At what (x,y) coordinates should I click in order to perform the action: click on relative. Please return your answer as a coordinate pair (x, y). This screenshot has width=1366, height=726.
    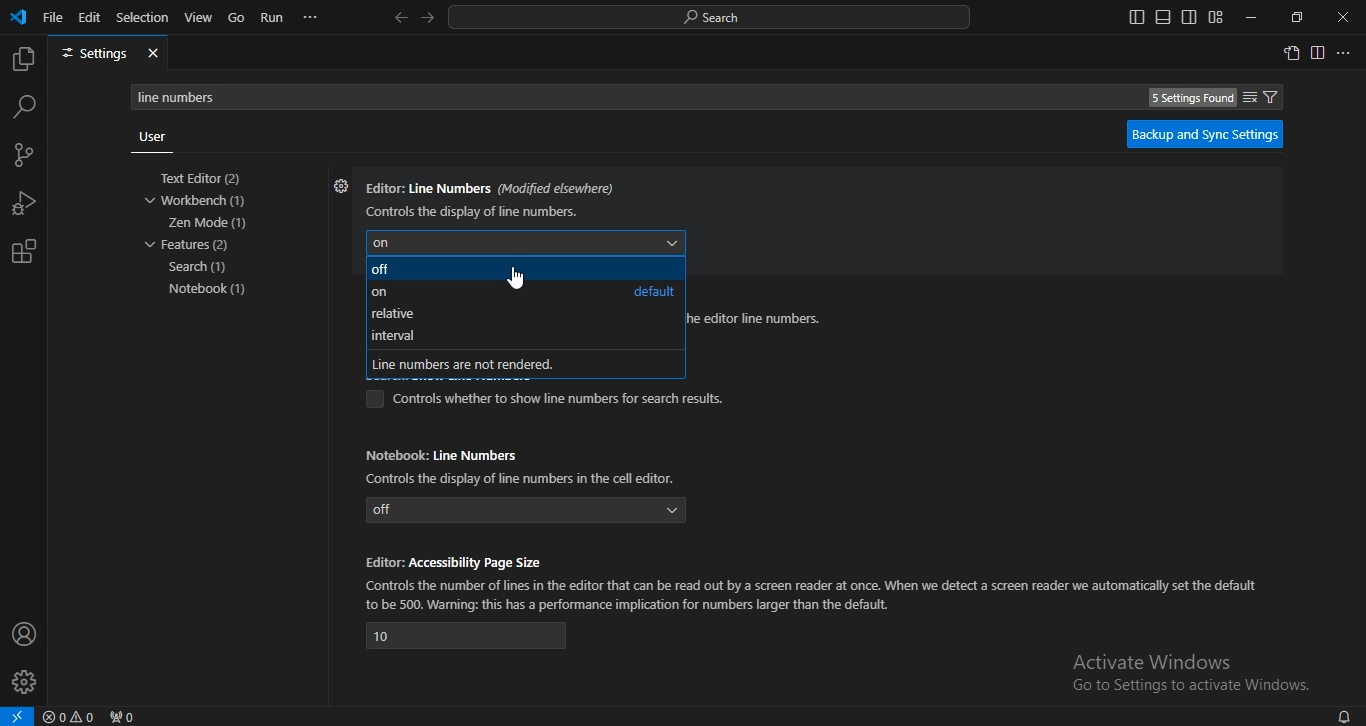
    Looking at the image, I should click on (399, 314).